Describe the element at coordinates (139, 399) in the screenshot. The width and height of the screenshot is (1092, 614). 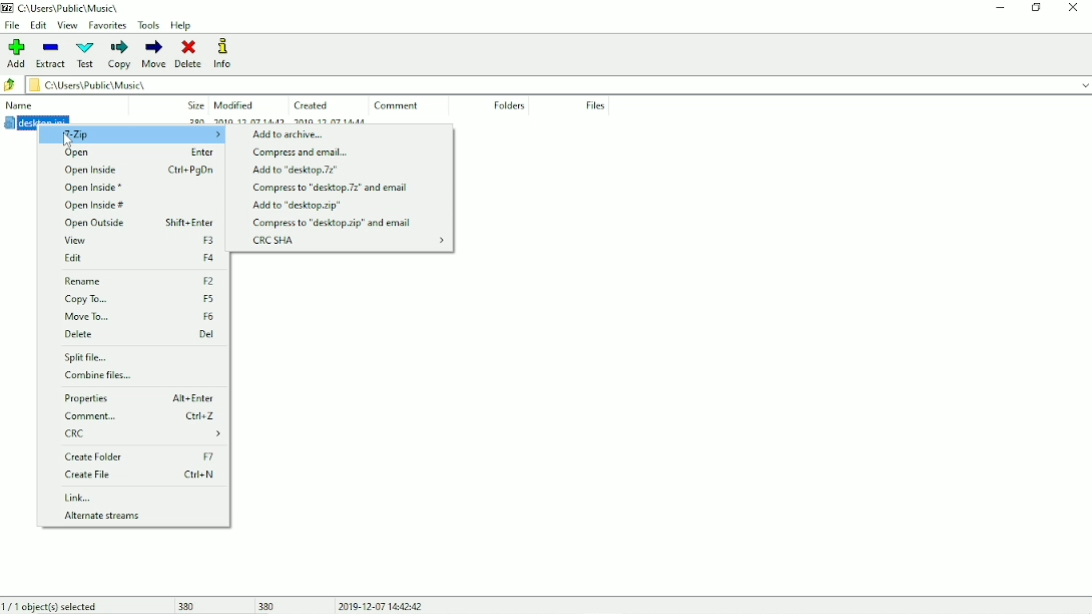
I see `Properties` at that location.